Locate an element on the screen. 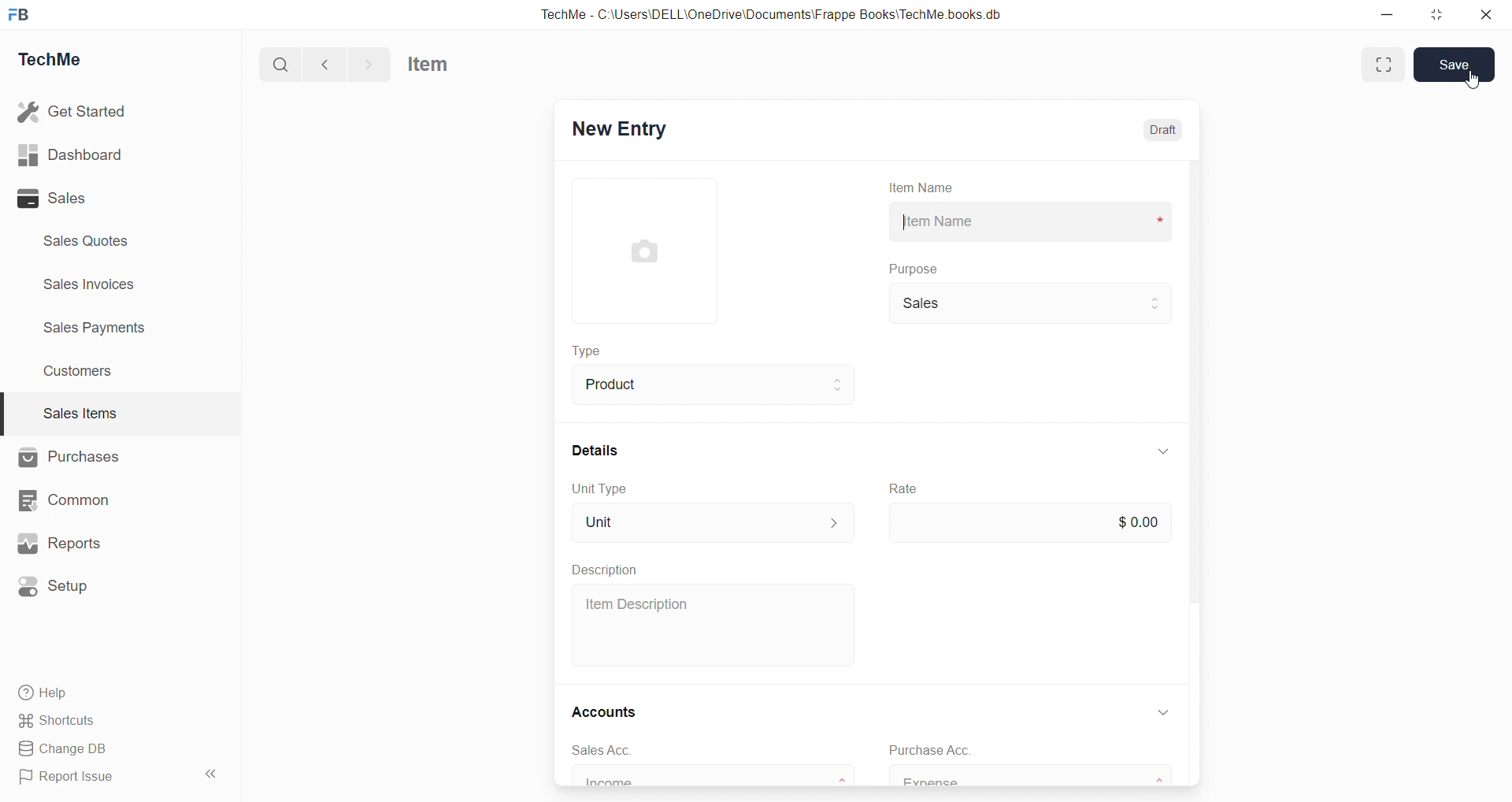 The width and height of the screenshot is (1512, 802). enlarge is located at coordinates (1384, 65).